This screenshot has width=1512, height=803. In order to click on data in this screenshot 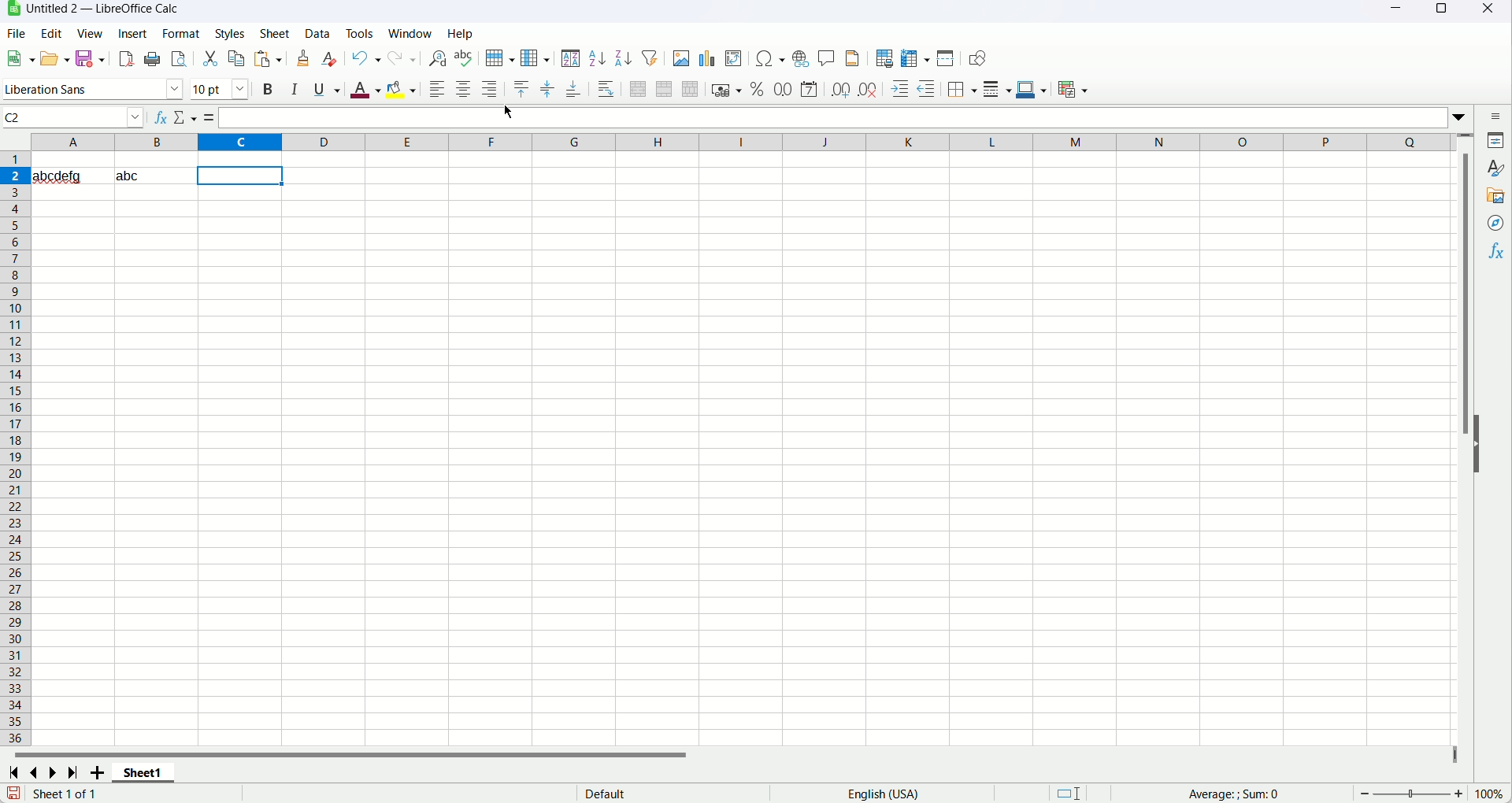, I will do `click(318, 34)`.